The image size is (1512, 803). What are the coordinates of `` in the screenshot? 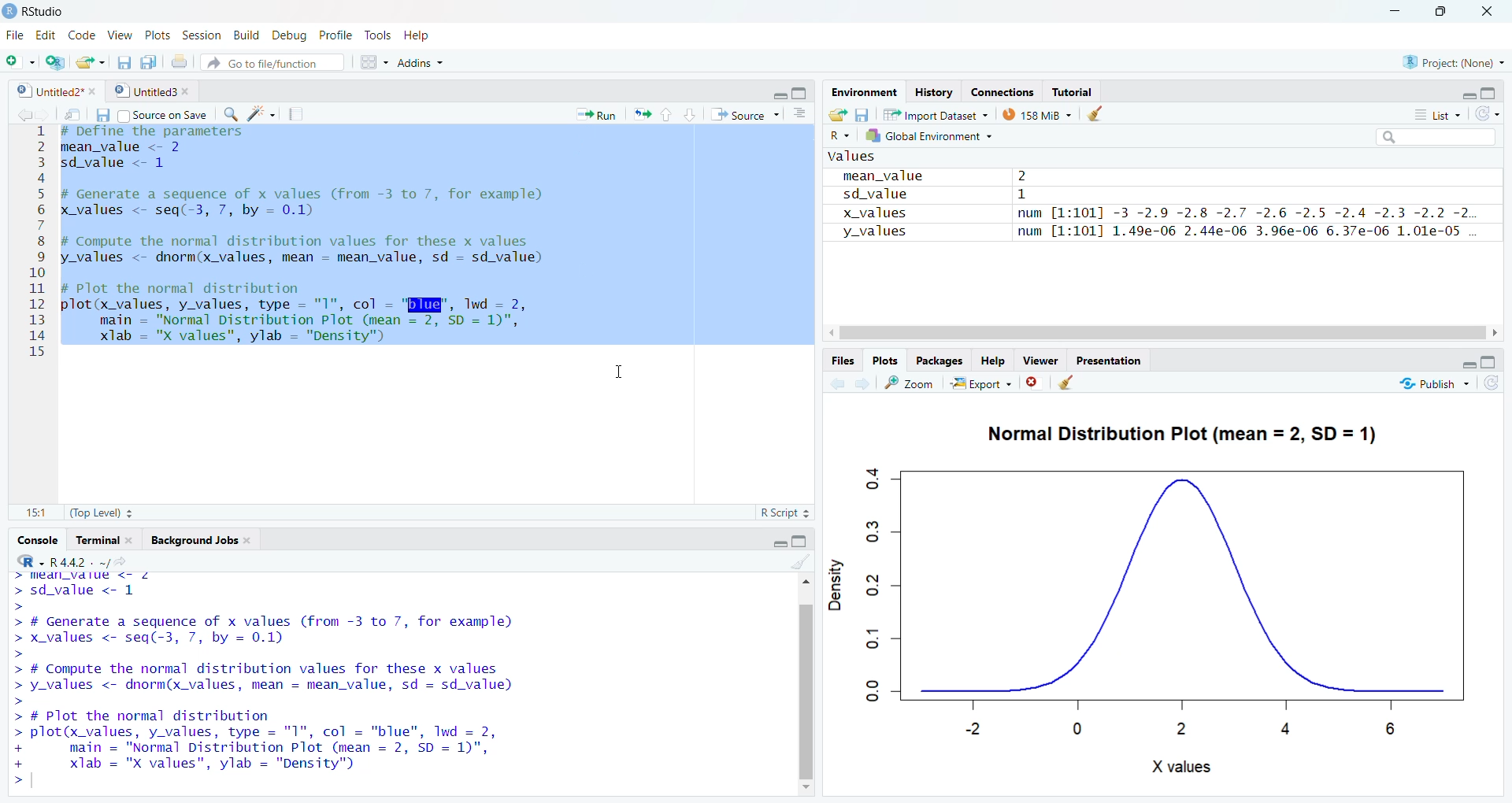 It's located at (675, 113).